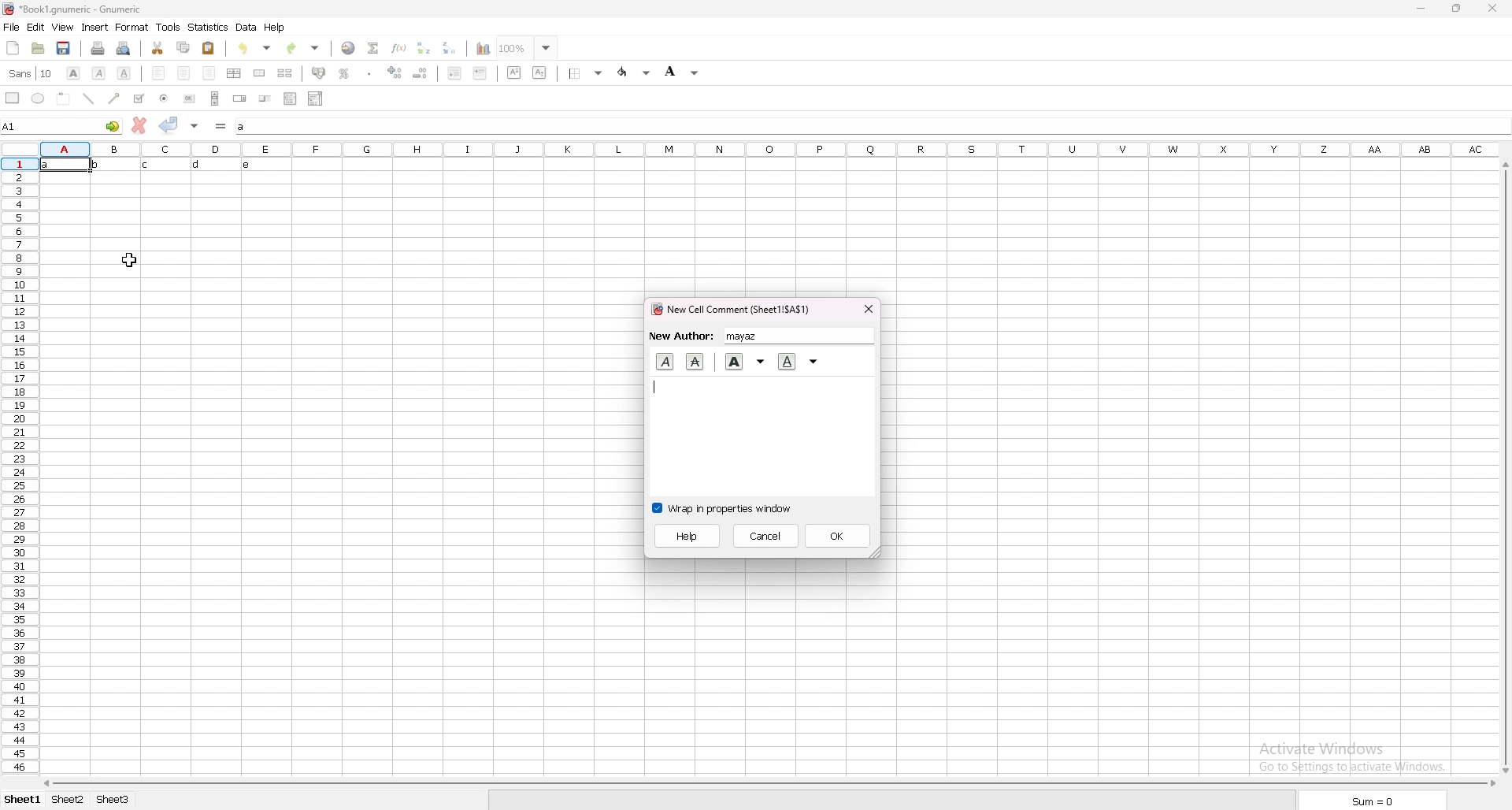  I want to click on scroll bar, so click(1504, 470).